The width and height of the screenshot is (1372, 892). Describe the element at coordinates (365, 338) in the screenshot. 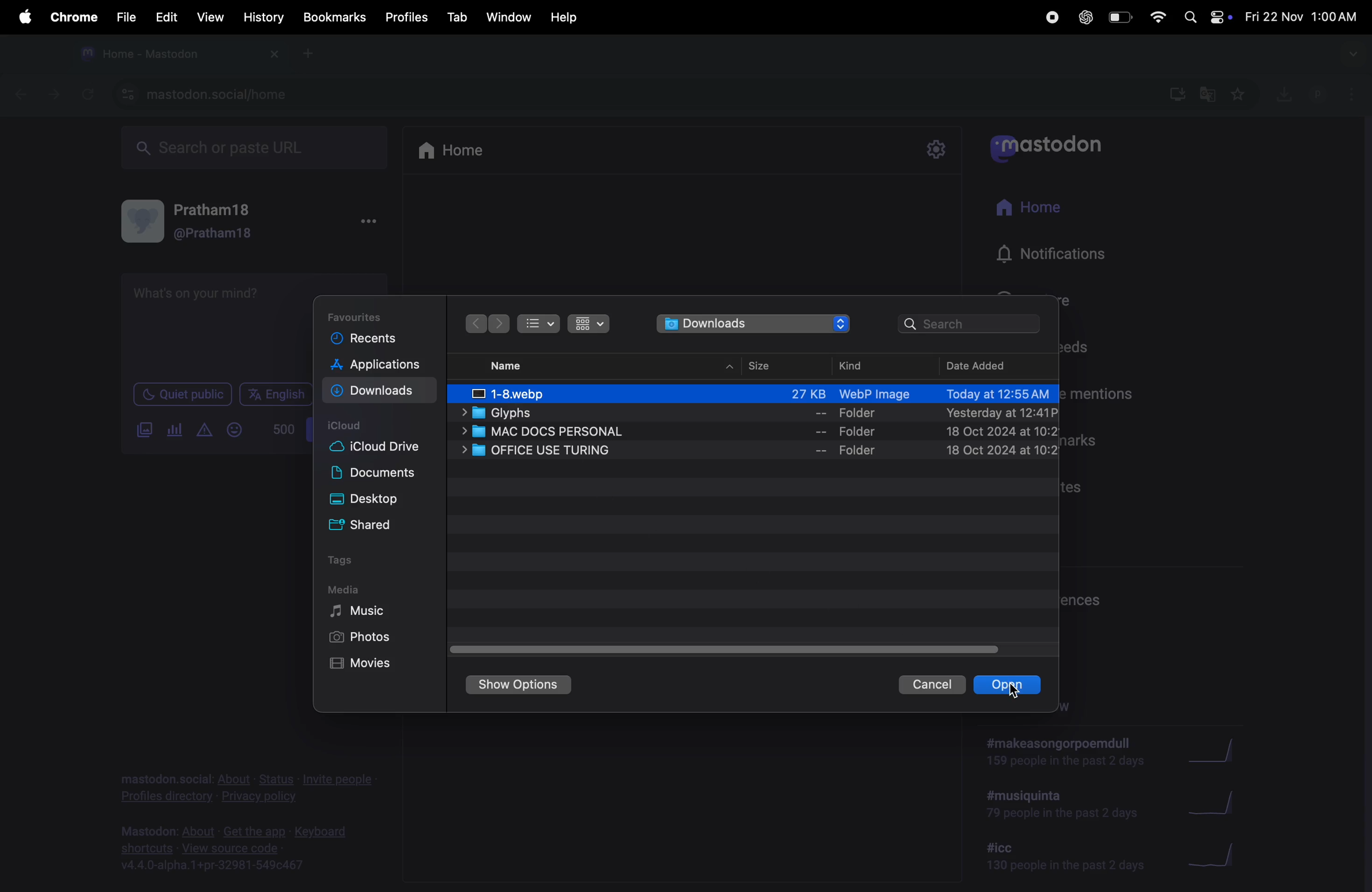

I see `recents` at that location.